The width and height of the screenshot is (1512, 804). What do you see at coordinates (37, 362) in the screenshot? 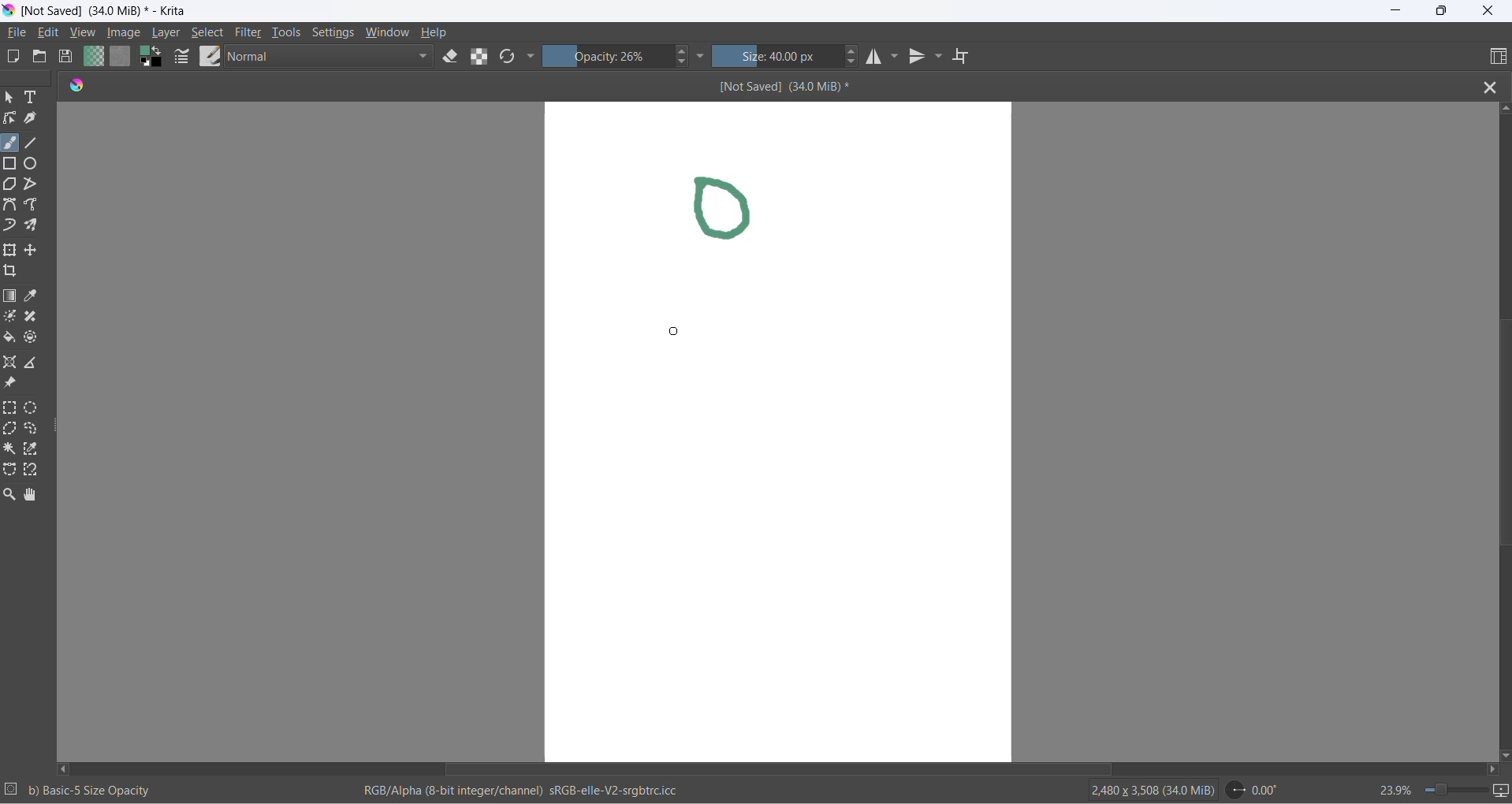
I see `measure the distance between two points` at bounding box center [37, 362].